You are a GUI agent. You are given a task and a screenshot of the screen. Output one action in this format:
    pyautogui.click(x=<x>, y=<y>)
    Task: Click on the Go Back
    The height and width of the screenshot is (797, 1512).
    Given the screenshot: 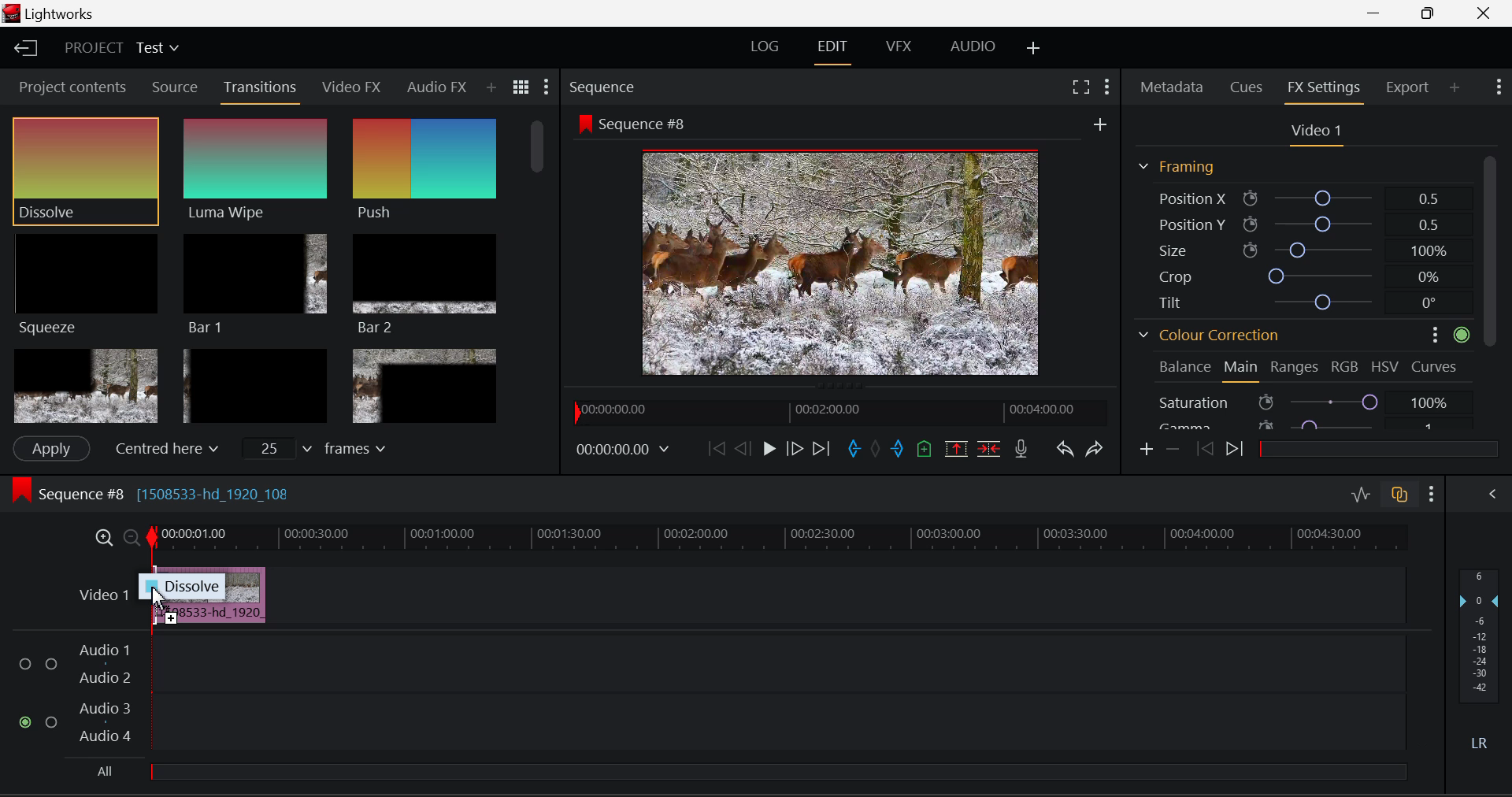 What is the action you would take?
    pyautogui.click(x=742, y=449)
    